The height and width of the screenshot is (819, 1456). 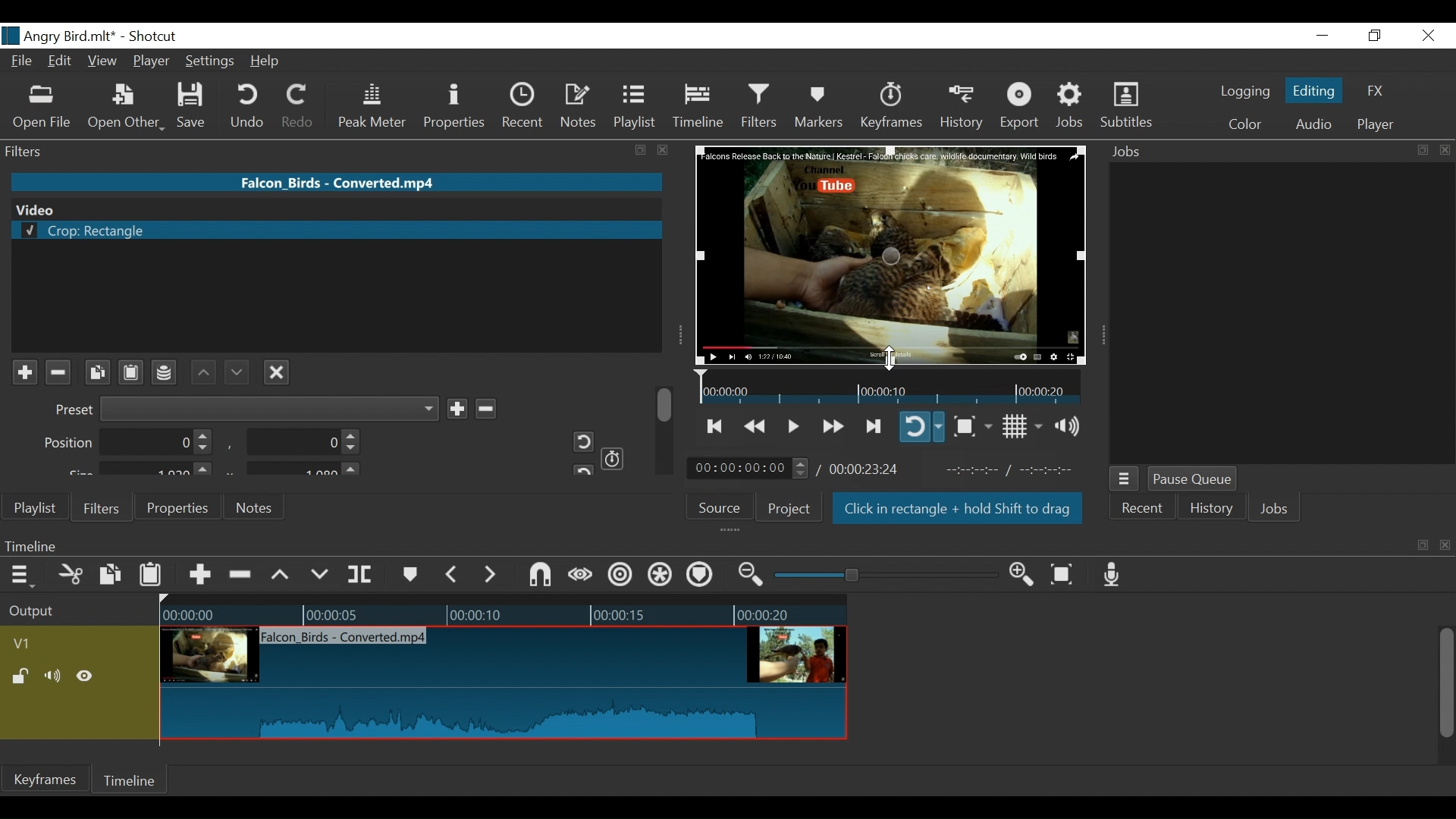 What do you see at coordinates (891, 254) in the screenshot?
I see `Media Viewer` at bounding box center [891, 254].